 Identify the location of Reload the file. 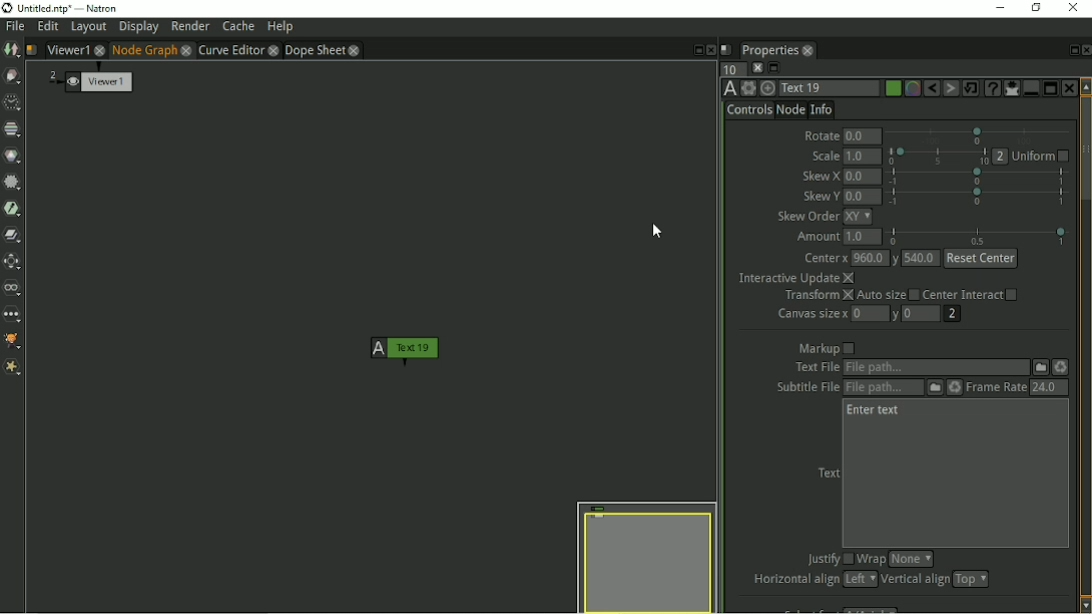
(1064, 368).